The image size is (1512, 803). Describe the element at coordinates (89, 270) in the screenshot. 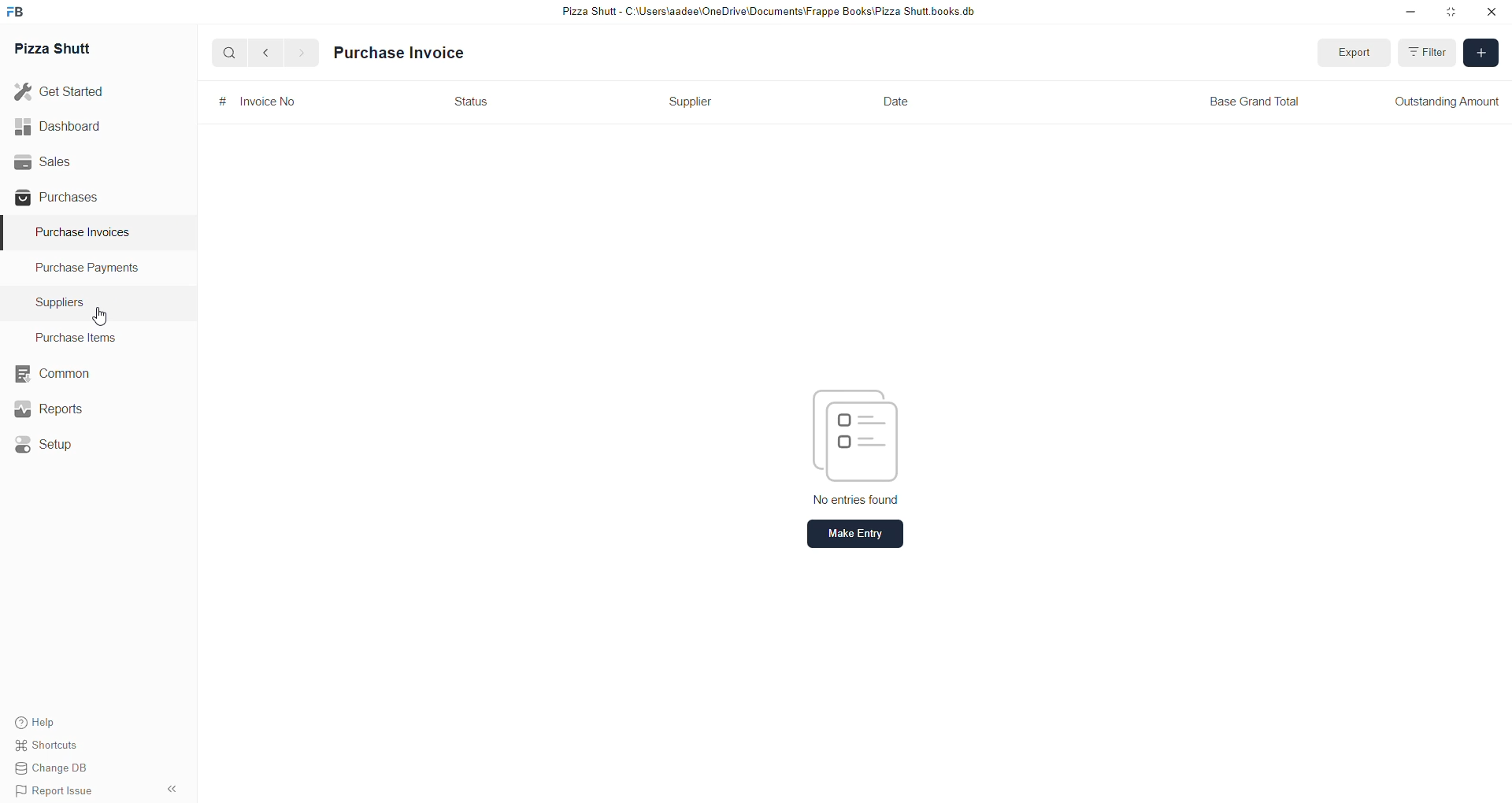

I see `Purchase Payments` at that location.